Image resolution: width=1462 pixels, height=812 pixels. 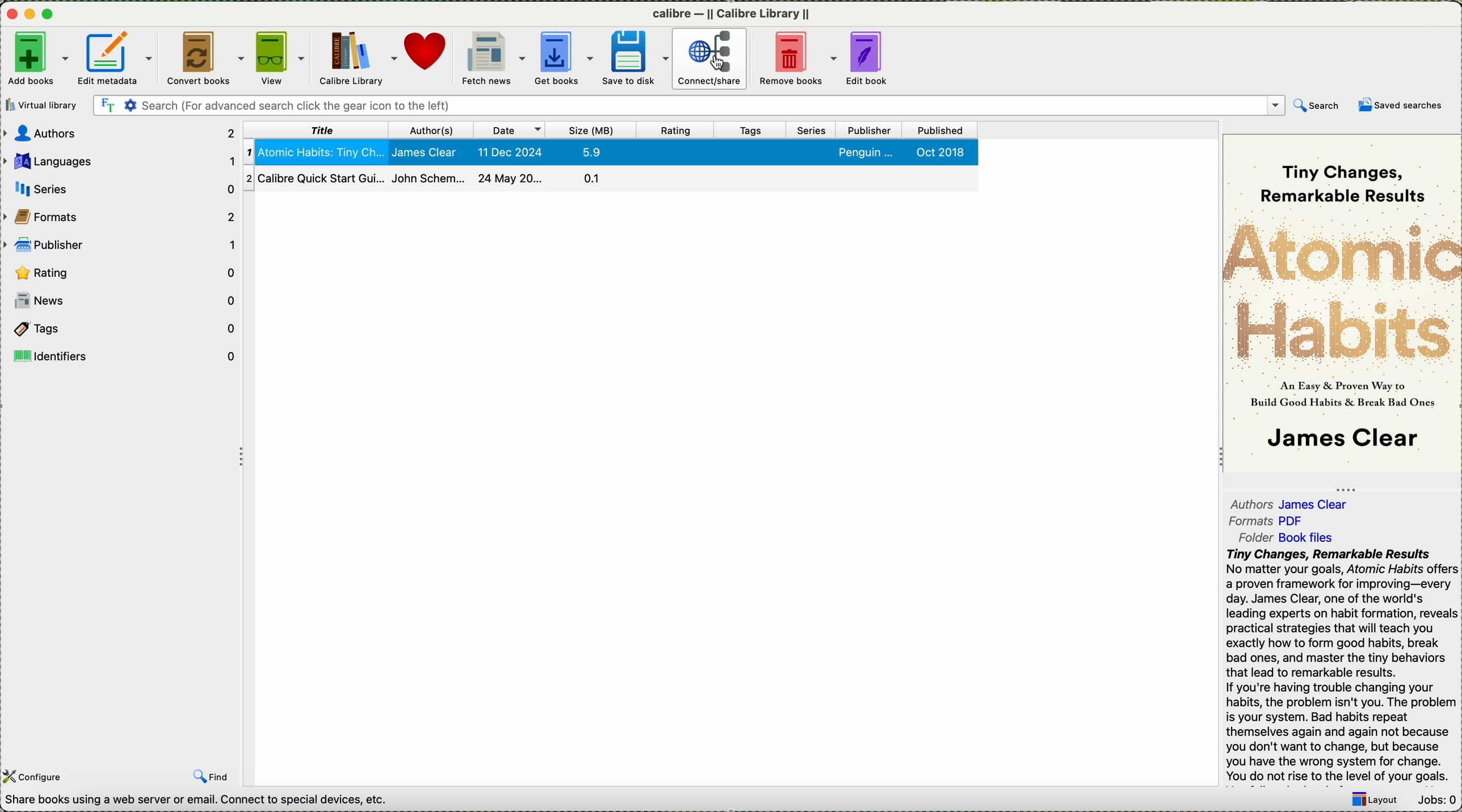 I want to click on saved searches, so click(x=1404, y=106).